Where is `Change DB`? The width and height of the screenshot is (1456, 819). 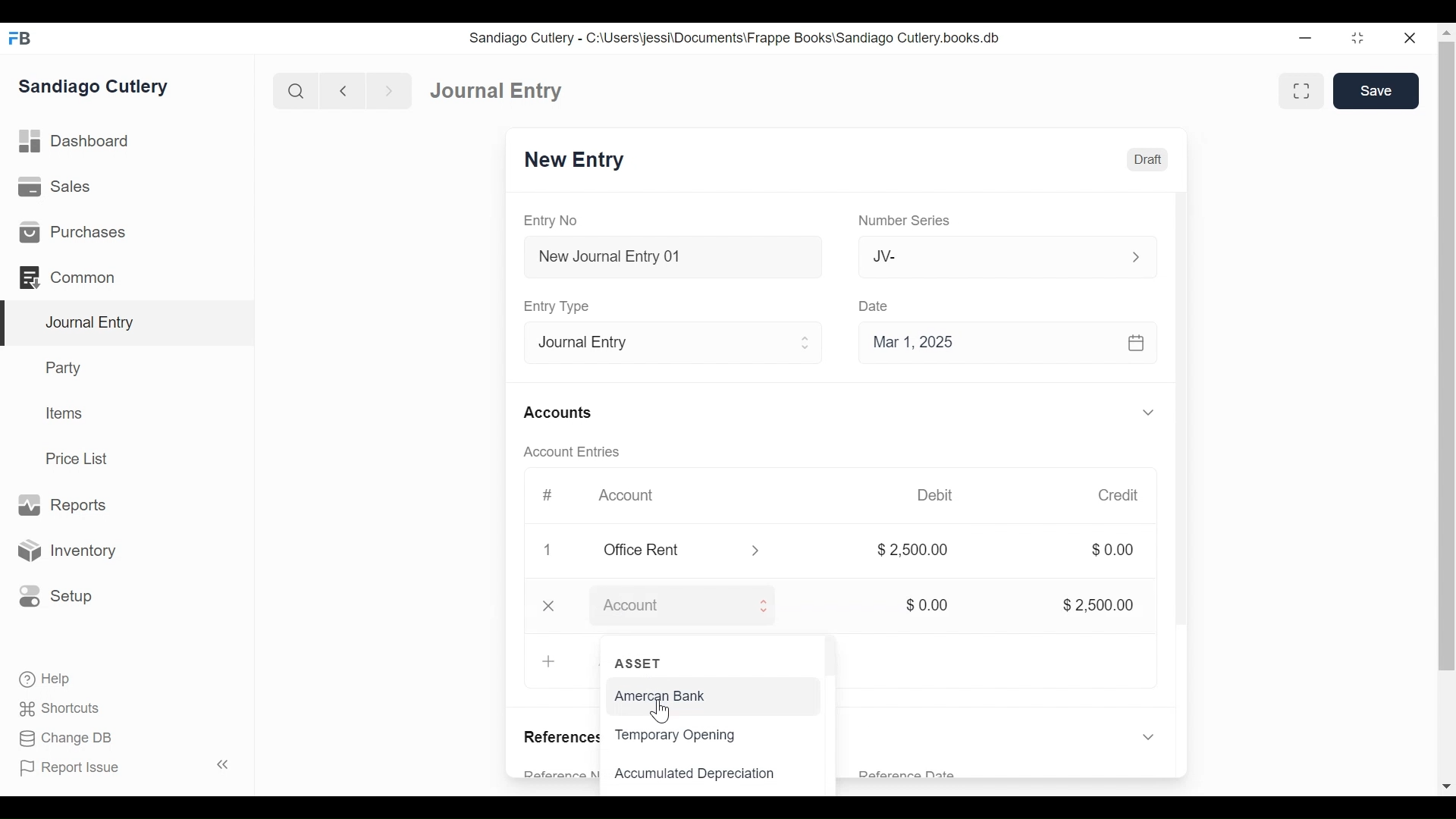 Change DB is located at coordinates (59, 739).